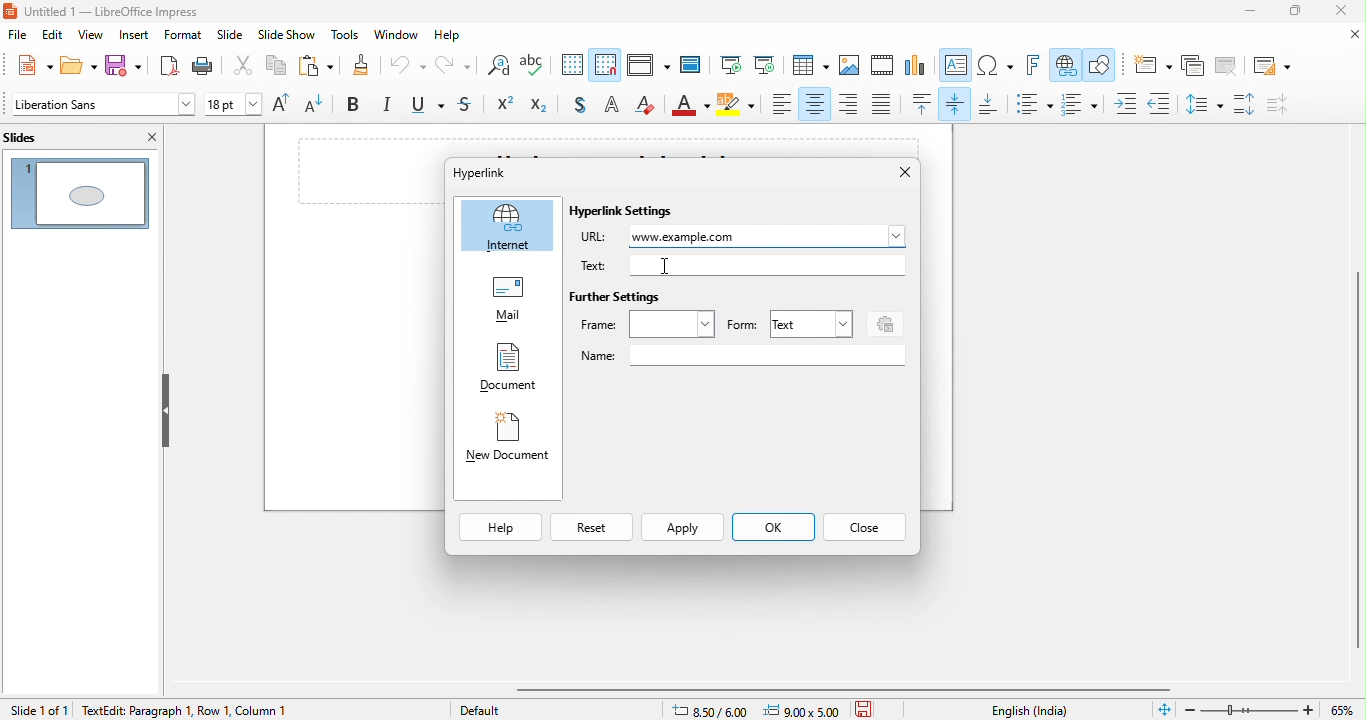 This screenshot has width=1366, height=720. Describe the element at coordinates (1164, 710) in the screenshot. I see `fit slide to fit window` at that location.